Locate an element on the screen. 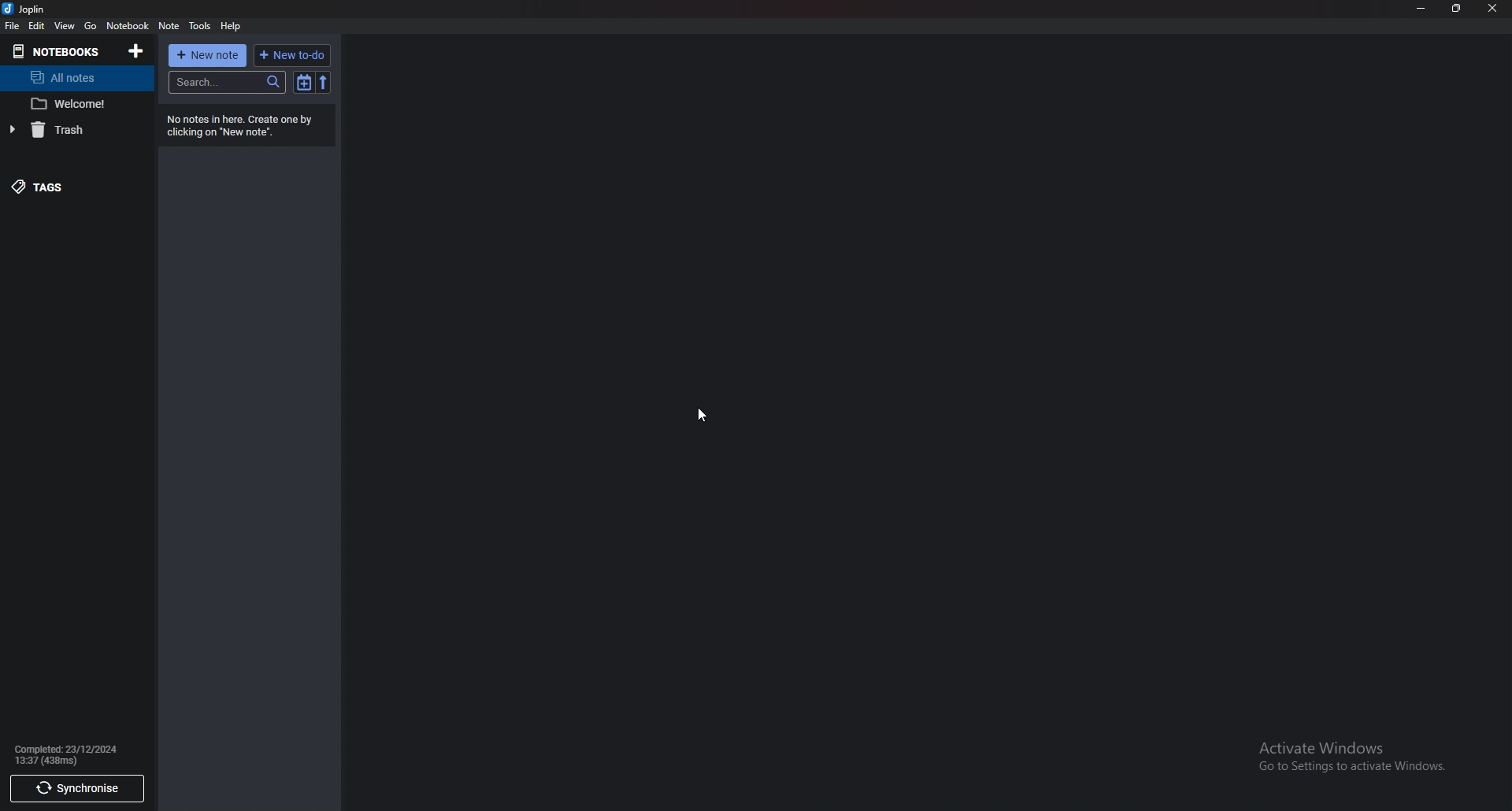 This screenshot has width=1512, height=811. Search is located at coordinates (228, 81).